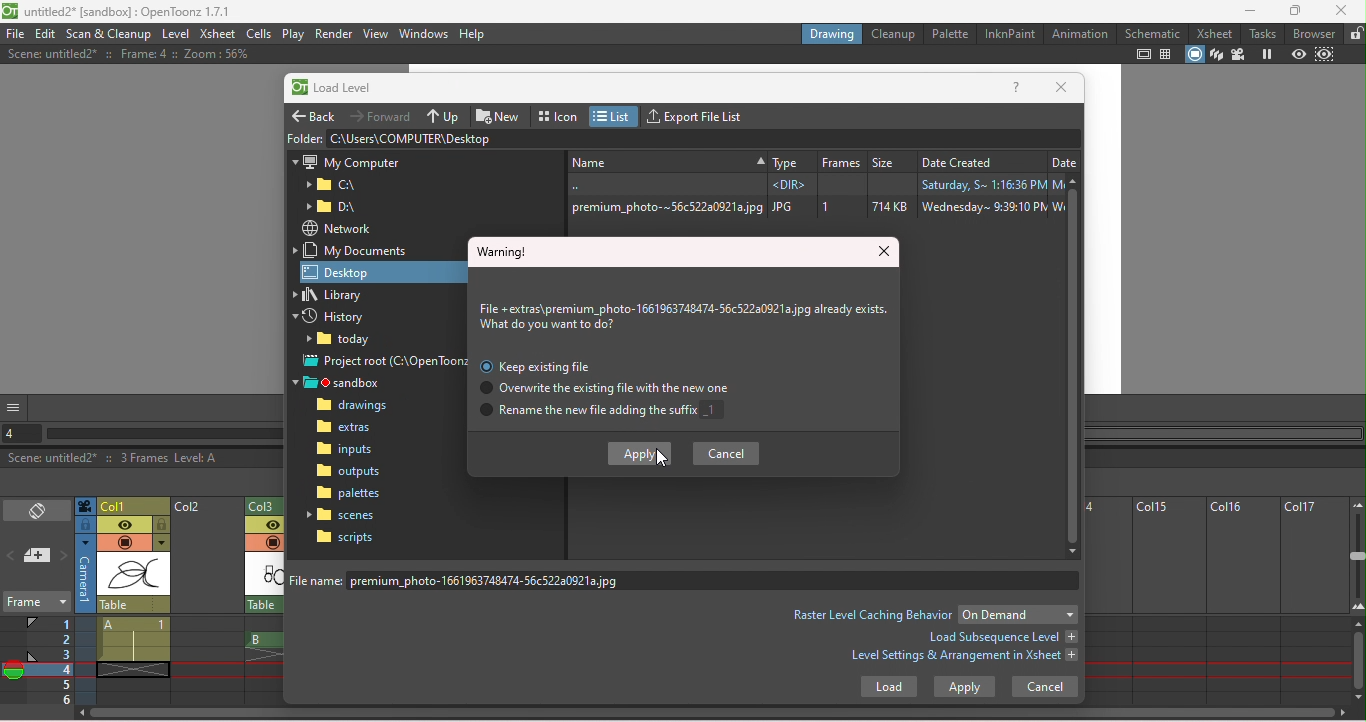  What do you see at coordinates (1358, 555) in the screenshot?
I see `zoom in/out` at bounding box center [1358, 555].